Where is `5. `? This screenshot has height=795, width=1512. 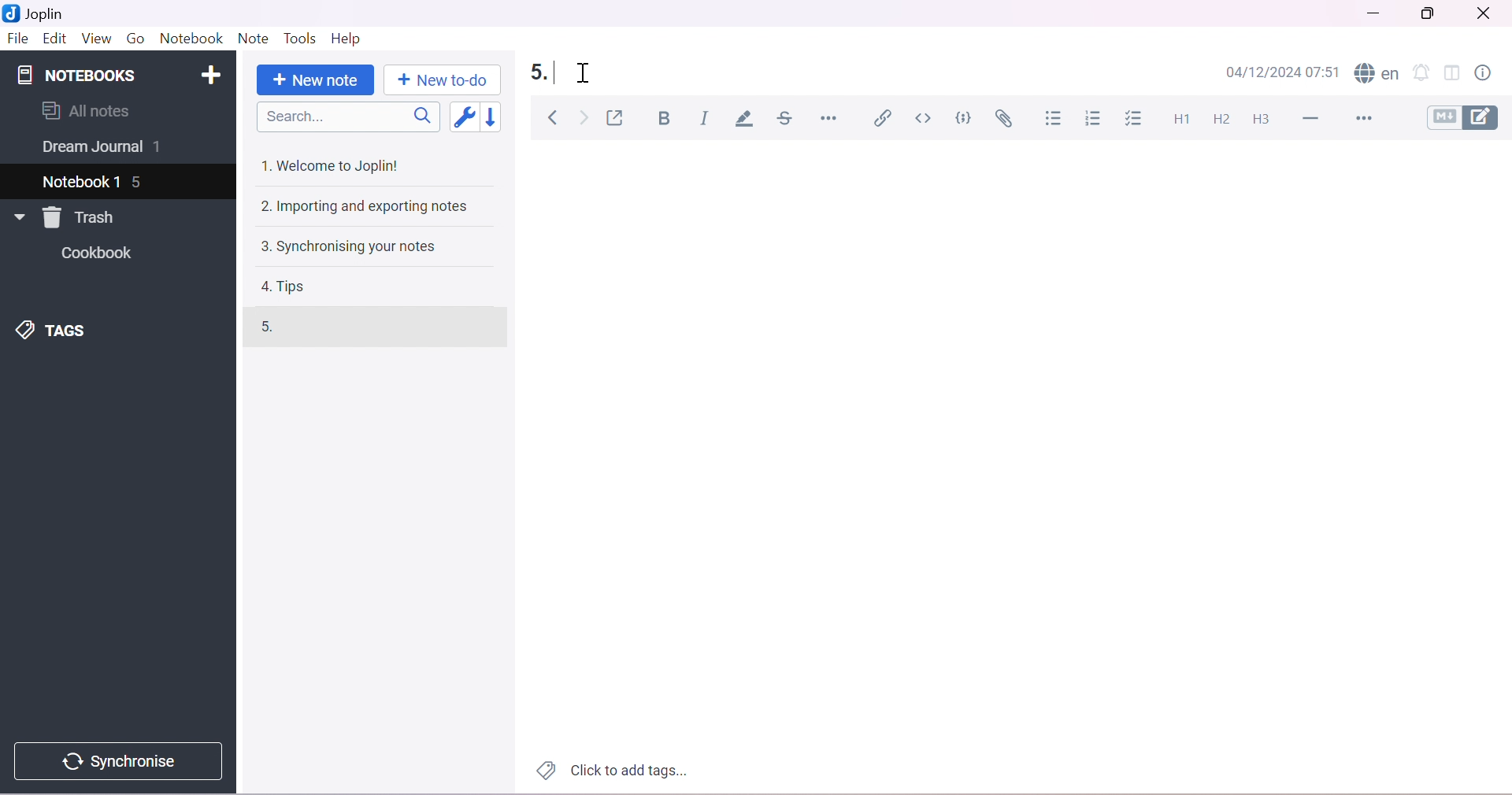 5.  is located at coordinates (271, 328).